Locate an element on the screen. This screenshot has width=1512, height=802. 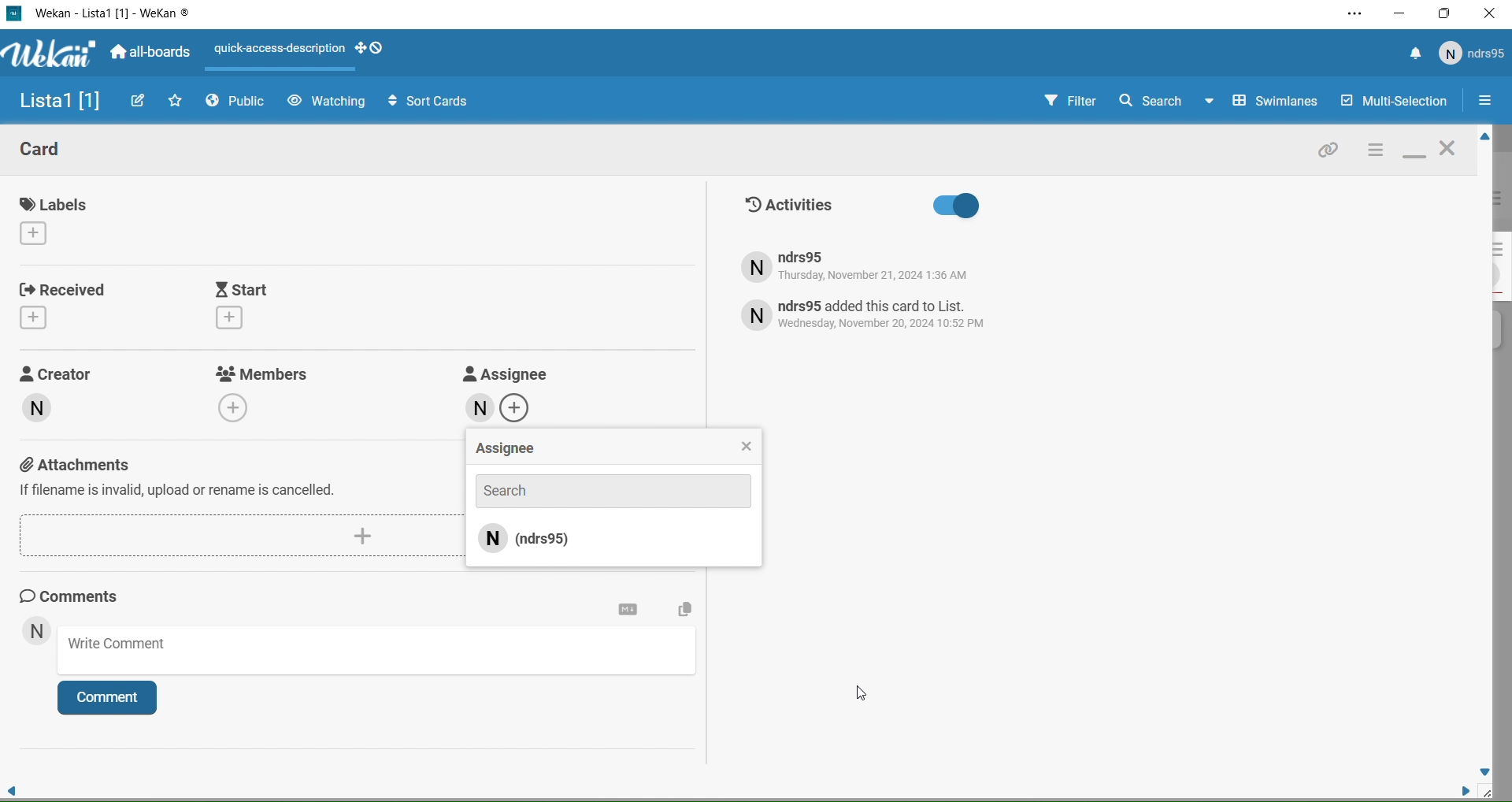
text is located at coordinates (879, 267).